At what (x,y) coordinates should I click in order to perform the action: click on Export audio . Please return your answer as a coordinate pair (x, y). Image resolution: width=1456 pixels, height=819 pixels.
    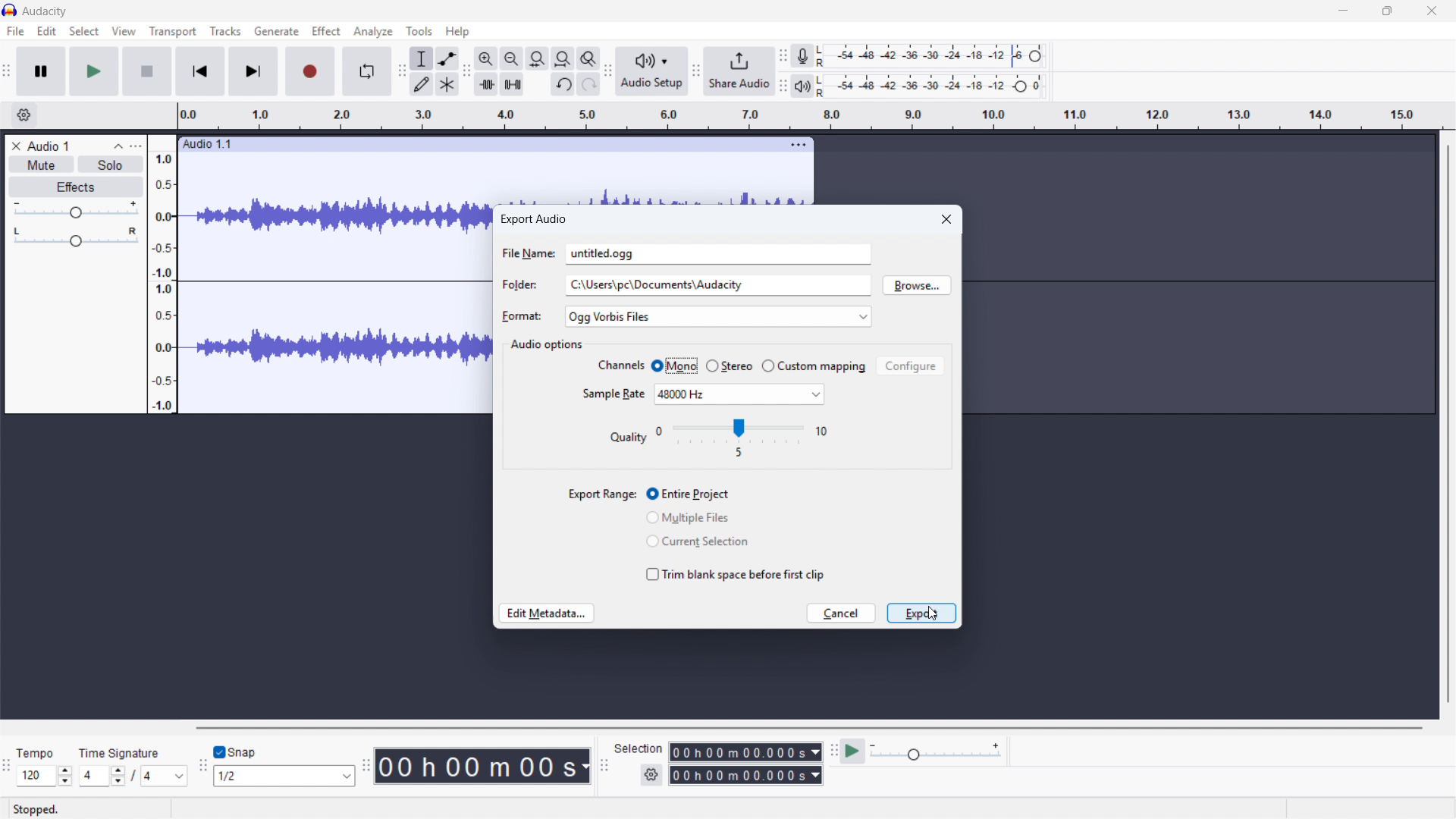
    Looking at the image, I should click on (533, 219).